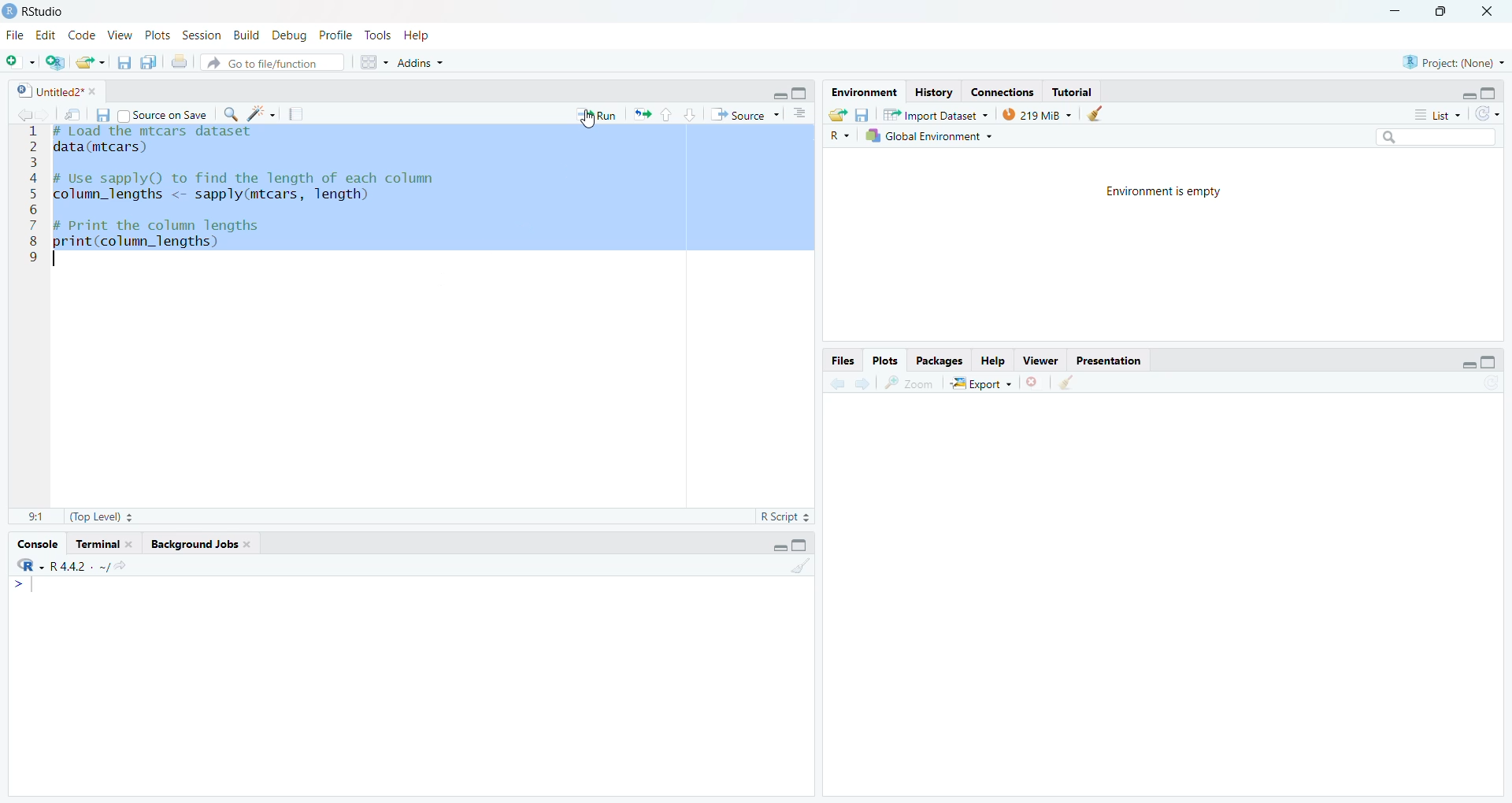 This screenshot has width=1512, height=803. What do you see at coordinates (1490, 13) in the screenshot?
I see `Close` at bounding box center [1490, 13].